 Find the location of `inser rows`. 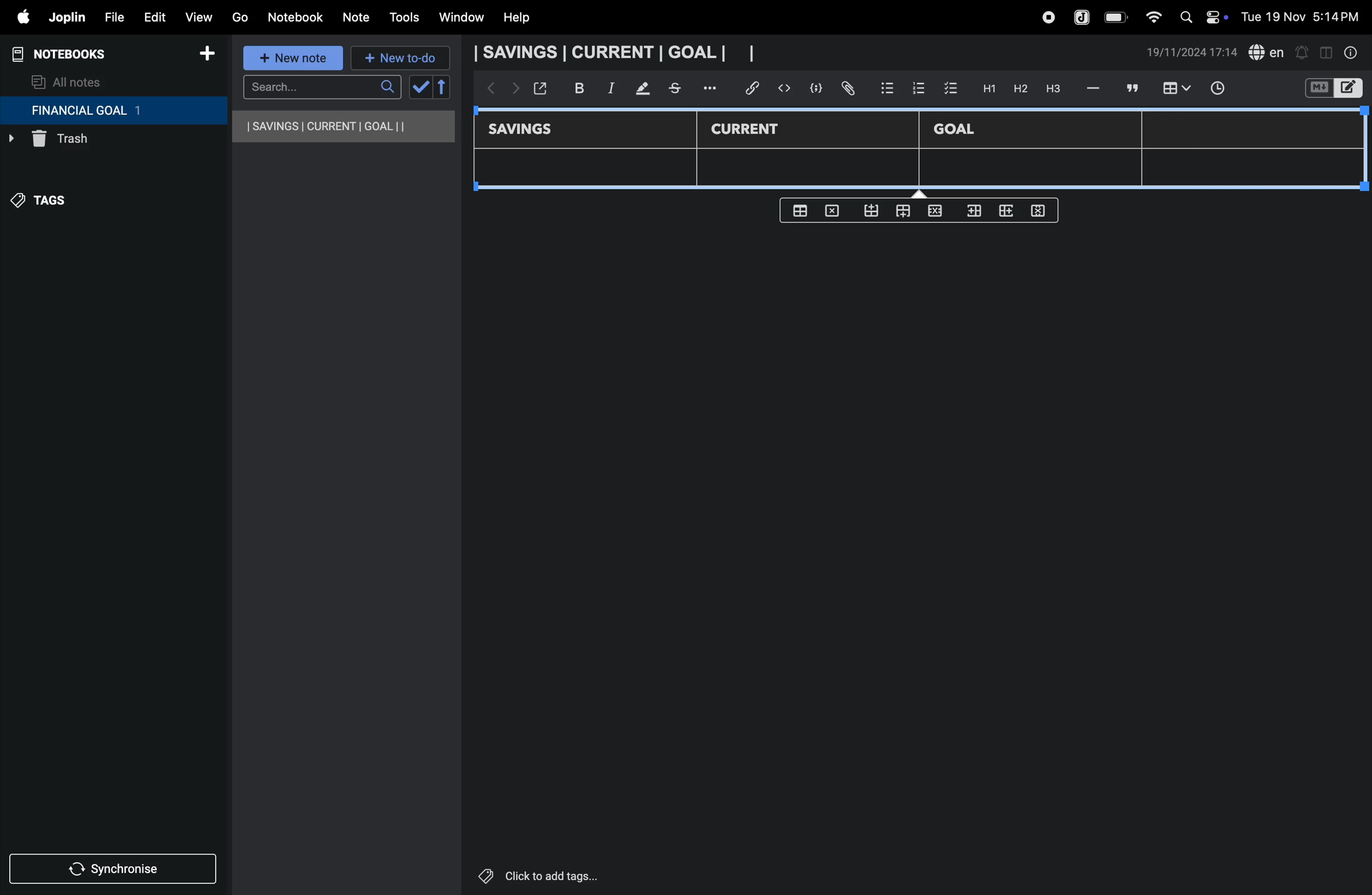

inser rows is located at coordinates (972, 213).